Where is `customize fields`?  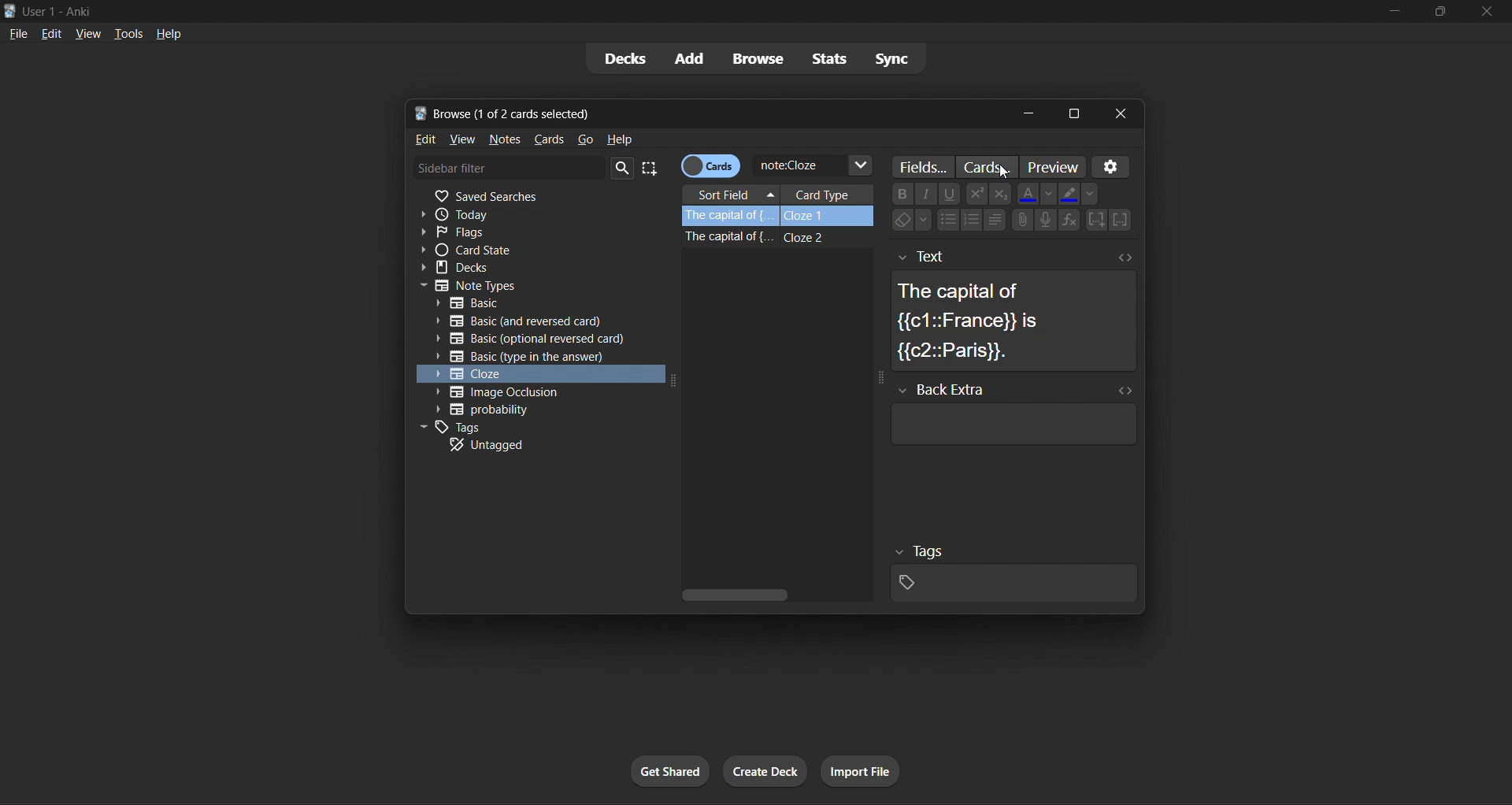
customize fields is located at coordinates (926, 168).